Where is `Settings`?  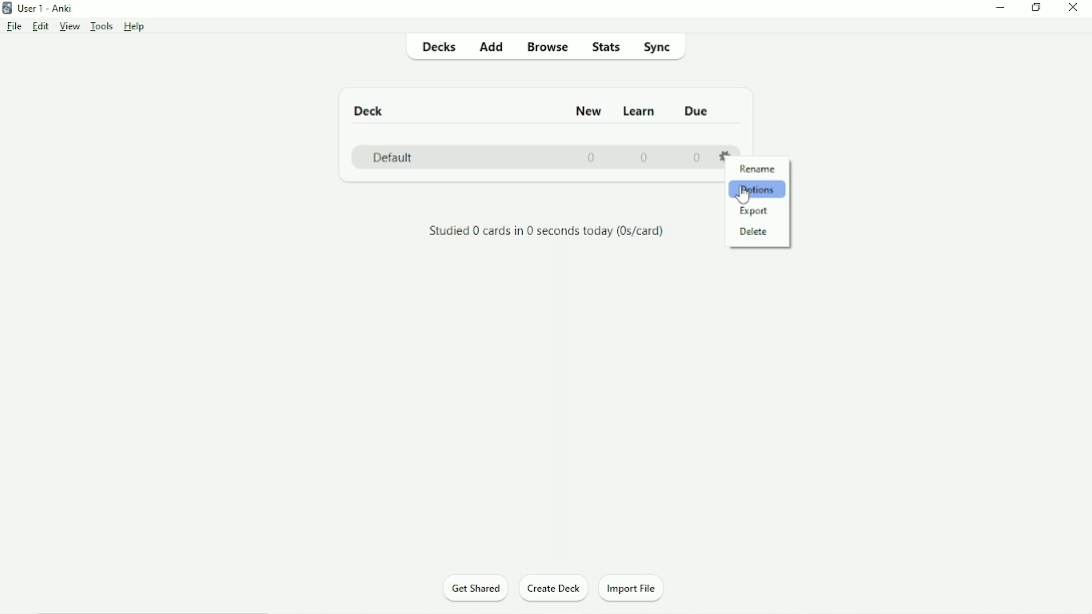
Settings is located at coordinates (728, 156).